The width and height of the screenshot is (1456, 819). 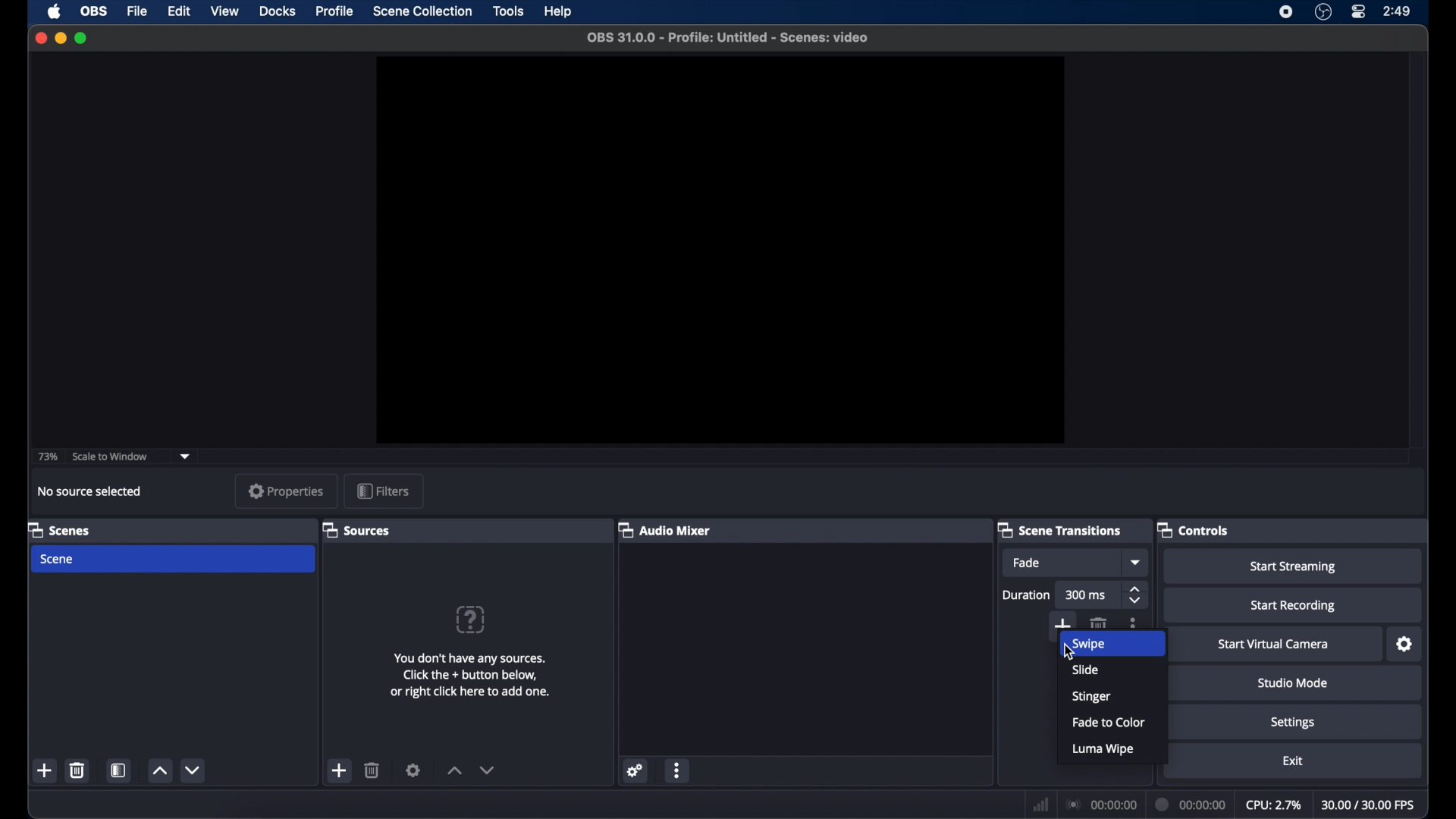 What do you see at coordinates (287, 491) in the screenshot?
I see `properties` at bounding box center [287, 491].